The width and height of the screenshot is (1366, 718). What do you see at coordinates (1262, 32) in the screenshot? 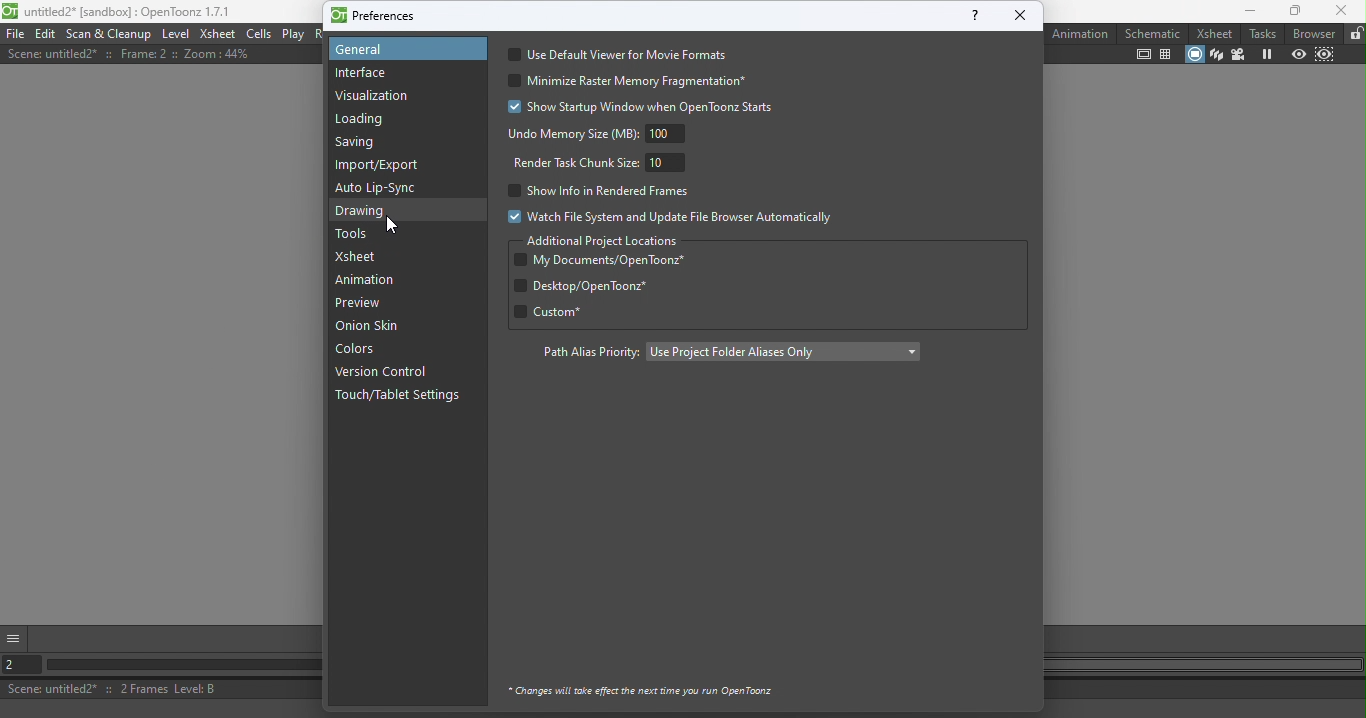
I see `Tasks` at bounding box center [1262, 32].